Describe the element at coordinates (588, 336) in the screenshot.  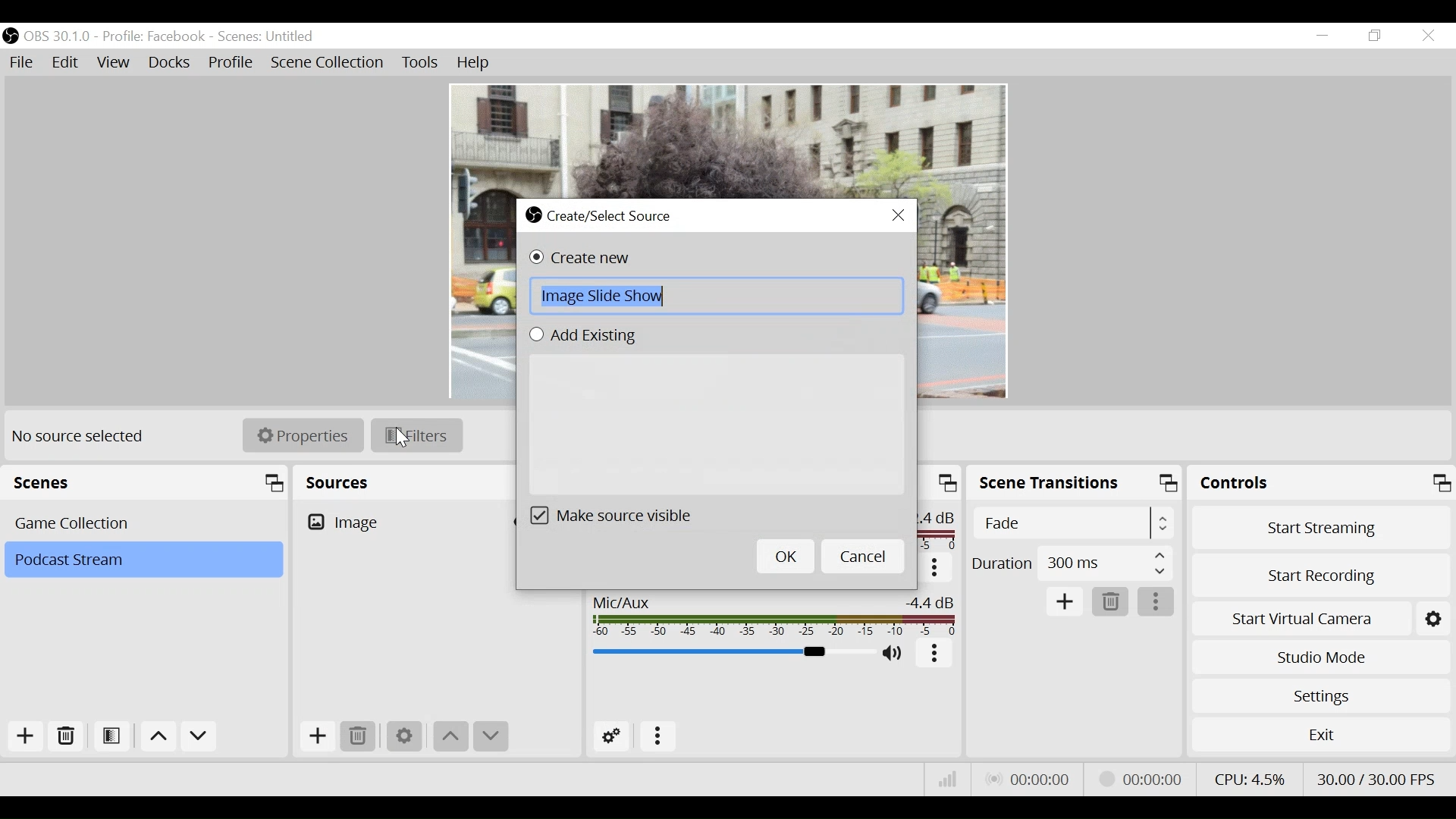
I see `(un)select Add Existing` at that location.